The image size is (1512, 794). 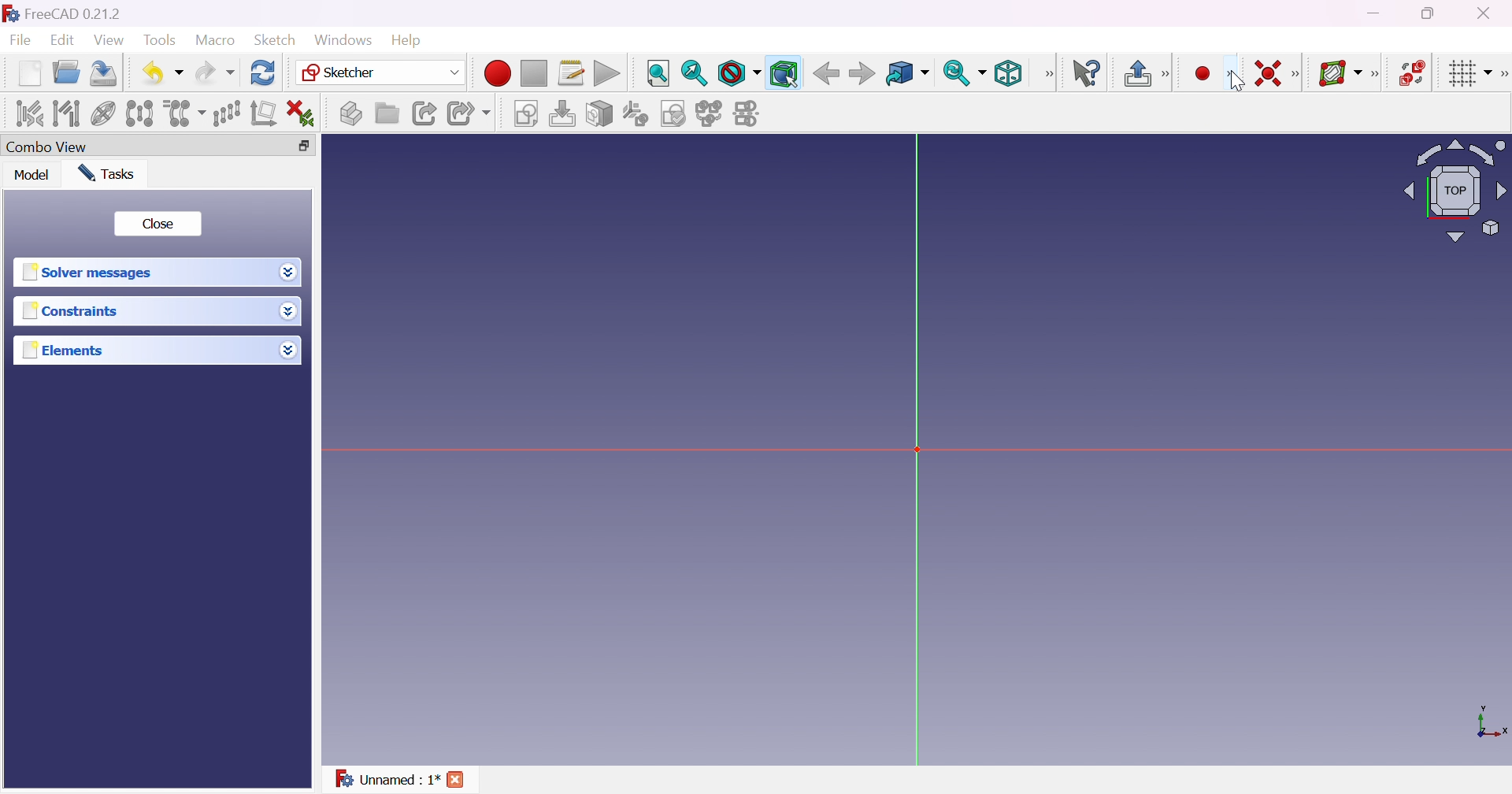 What do you see at coordinates (65, 113) in the screenshot?
I see `Select associated geometry` at bounding box center [65, 113].